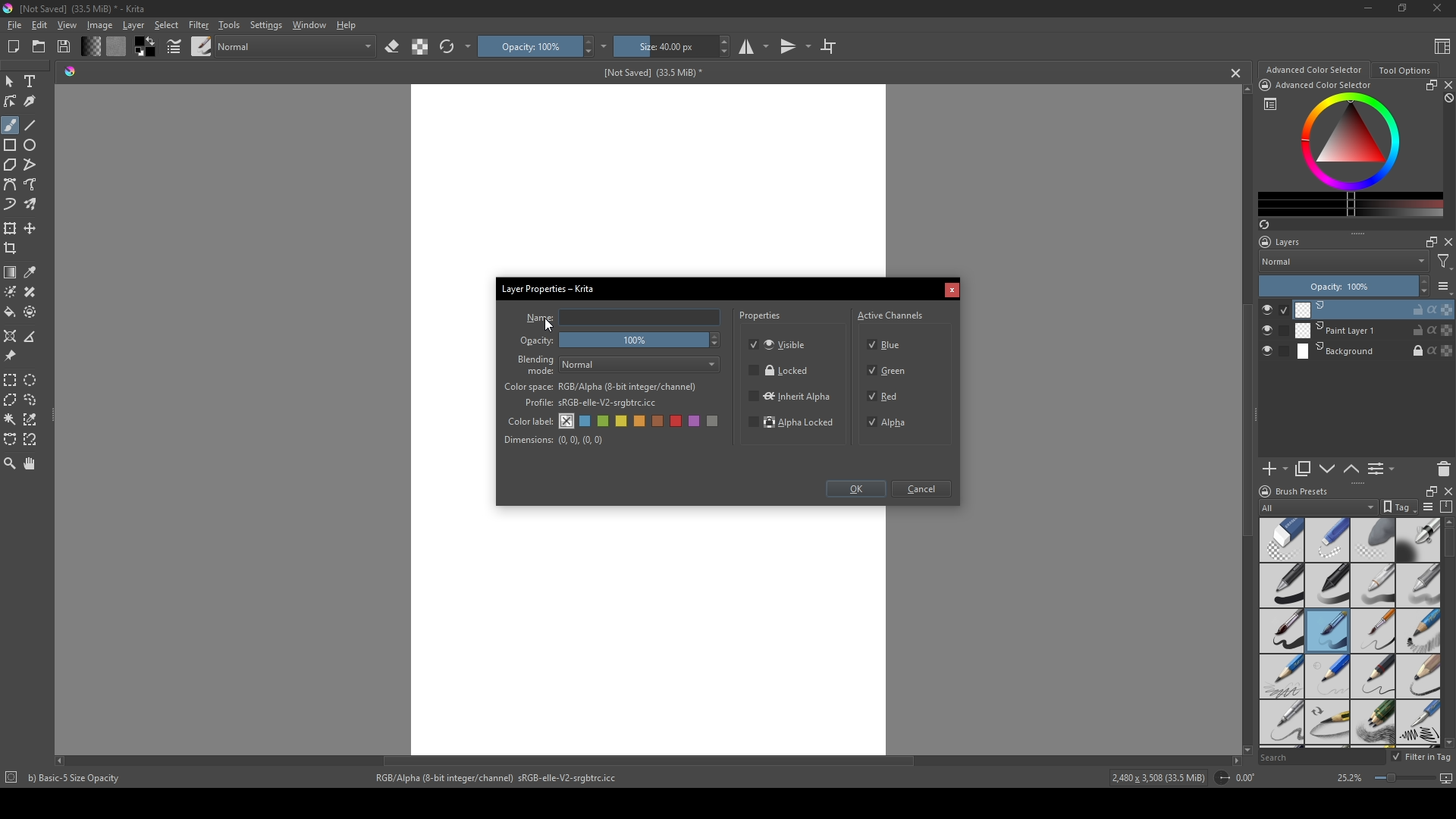  What do you see at coordinates (447, 47) in the screenshot?
I see `refresh` at bounding box center [447, 47].